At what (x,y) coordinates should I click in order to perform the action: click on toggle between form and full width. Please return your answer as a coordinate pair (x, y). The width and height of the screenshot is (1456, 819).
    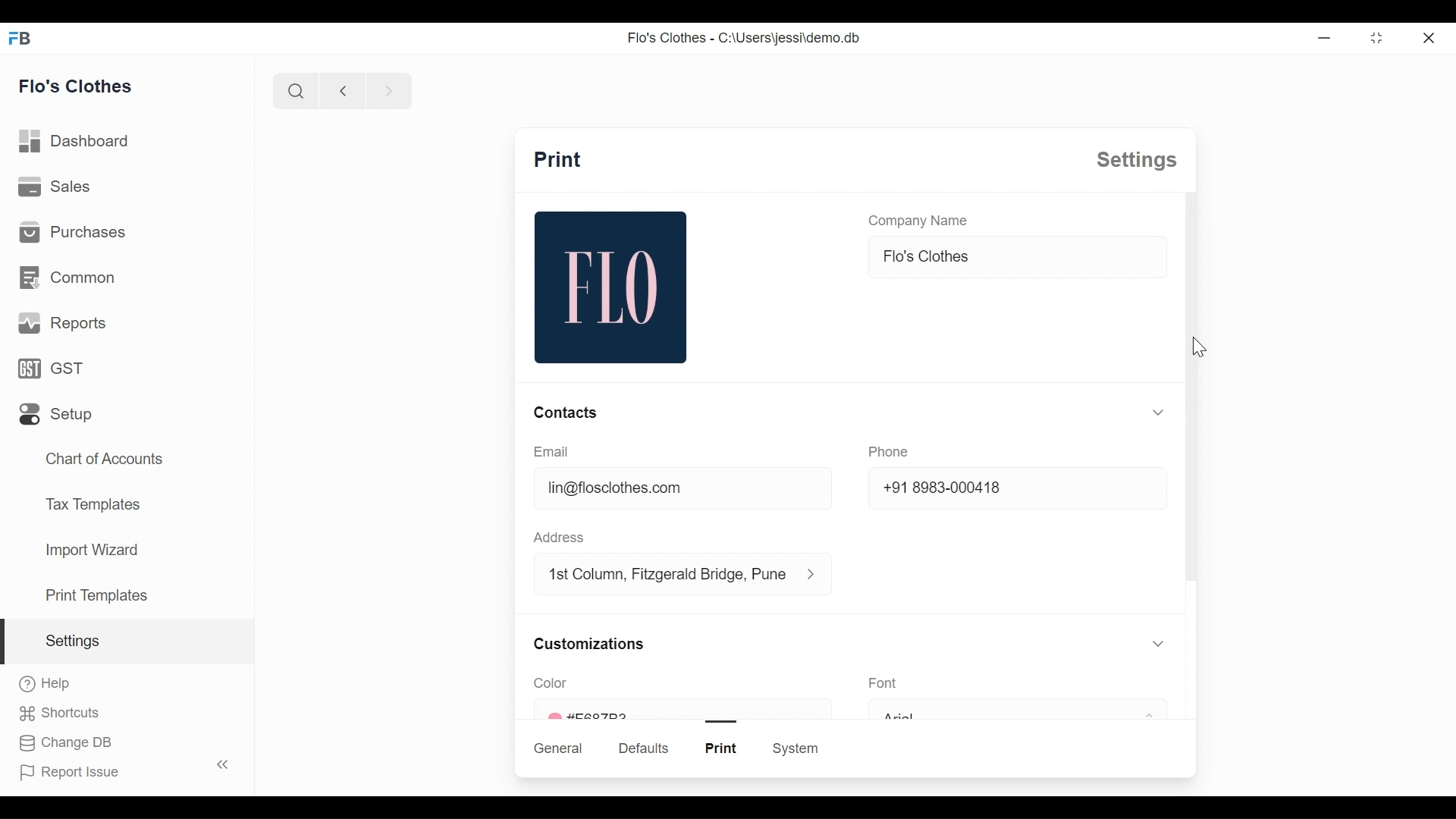
    Looking at the image, I should click on (1377, 38).